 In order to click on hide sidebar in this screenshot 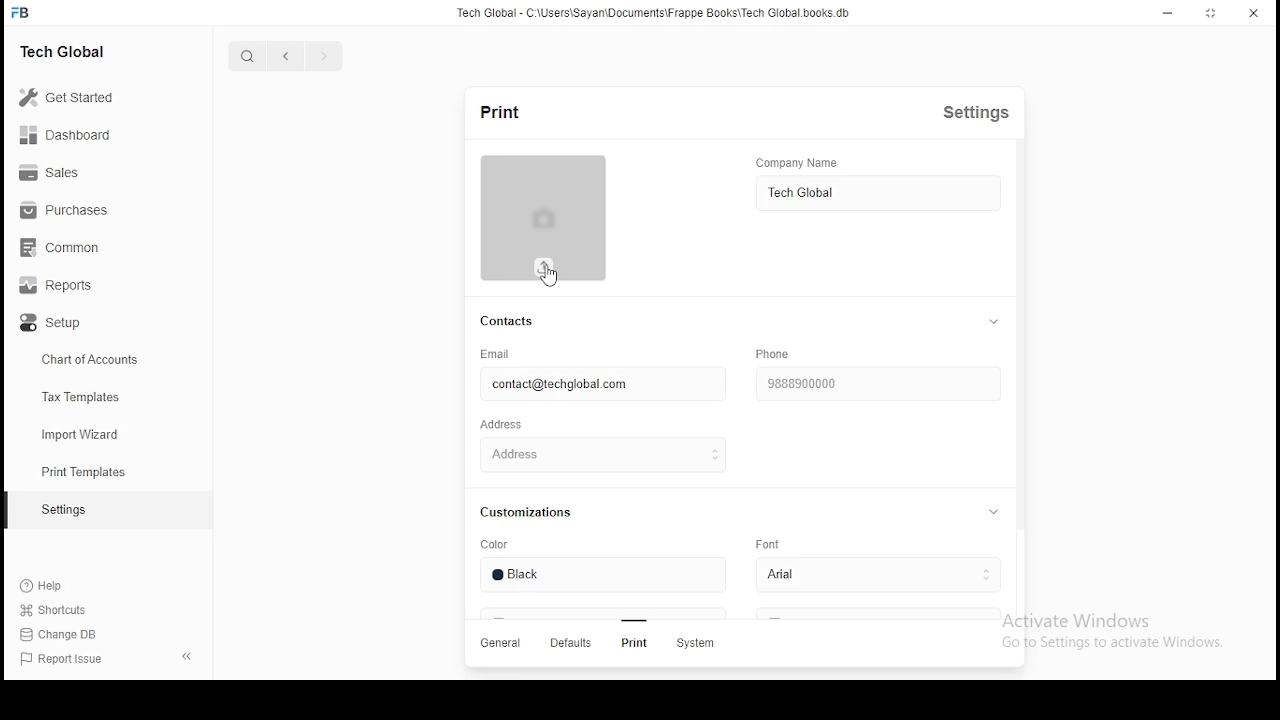, I will do `click(187, 656)`.